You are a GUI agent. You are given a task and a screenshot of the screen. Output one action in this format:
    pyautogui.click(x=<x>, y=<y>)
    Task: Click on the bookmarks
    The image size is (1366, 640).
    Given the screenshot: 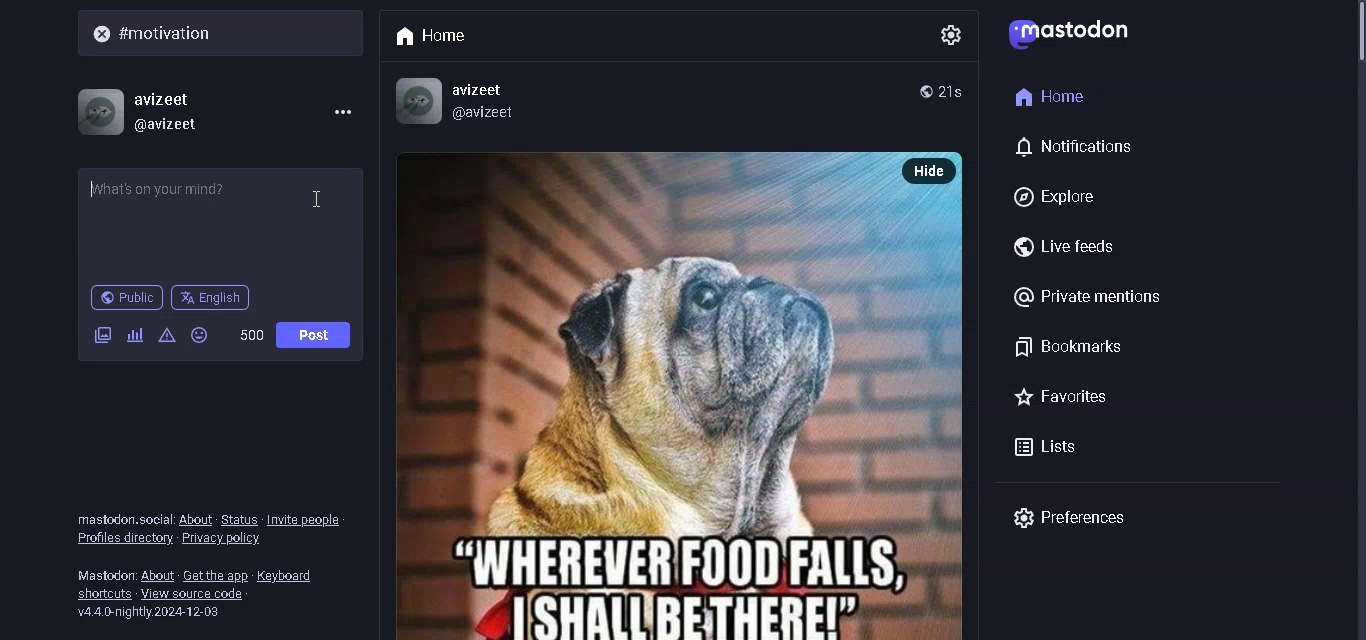 What is the action you would take?
    pyautogui.click(x=1067, y=344)
    